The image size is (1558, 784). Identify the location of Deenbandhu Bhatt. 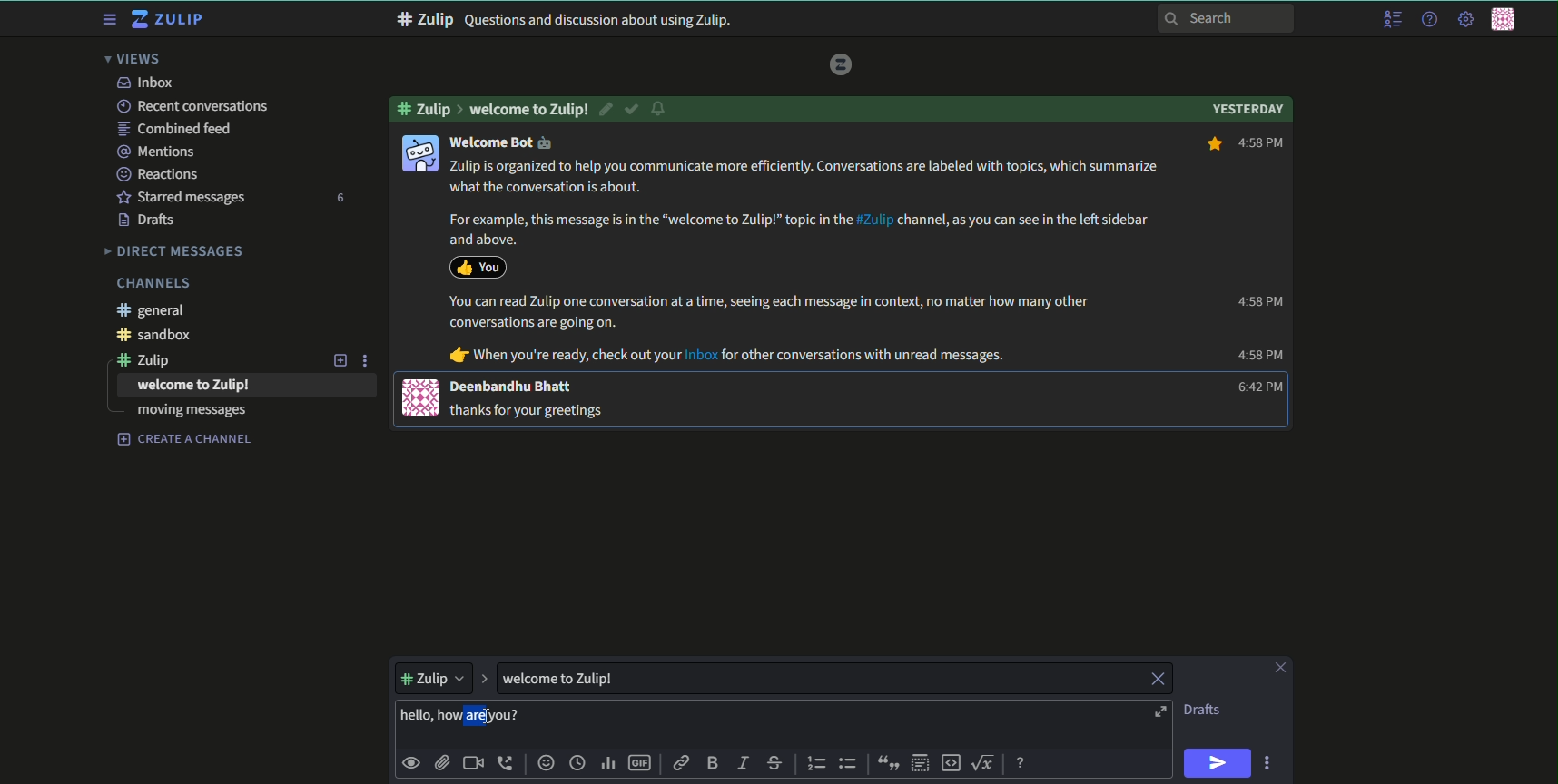
(513, 387).